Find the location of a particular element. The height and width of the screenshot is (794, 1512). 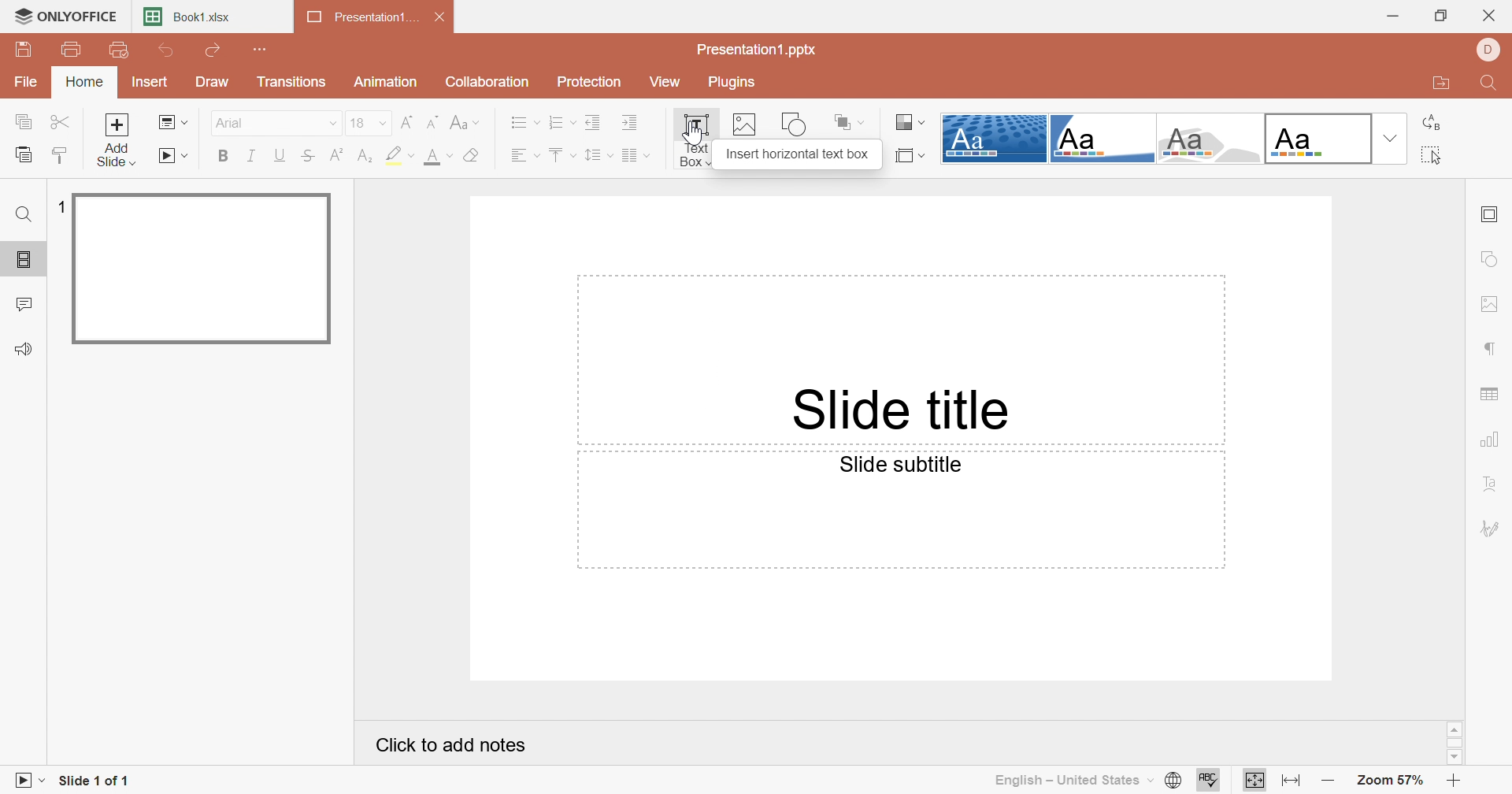

Text Box is located at coordinates (694, 142).